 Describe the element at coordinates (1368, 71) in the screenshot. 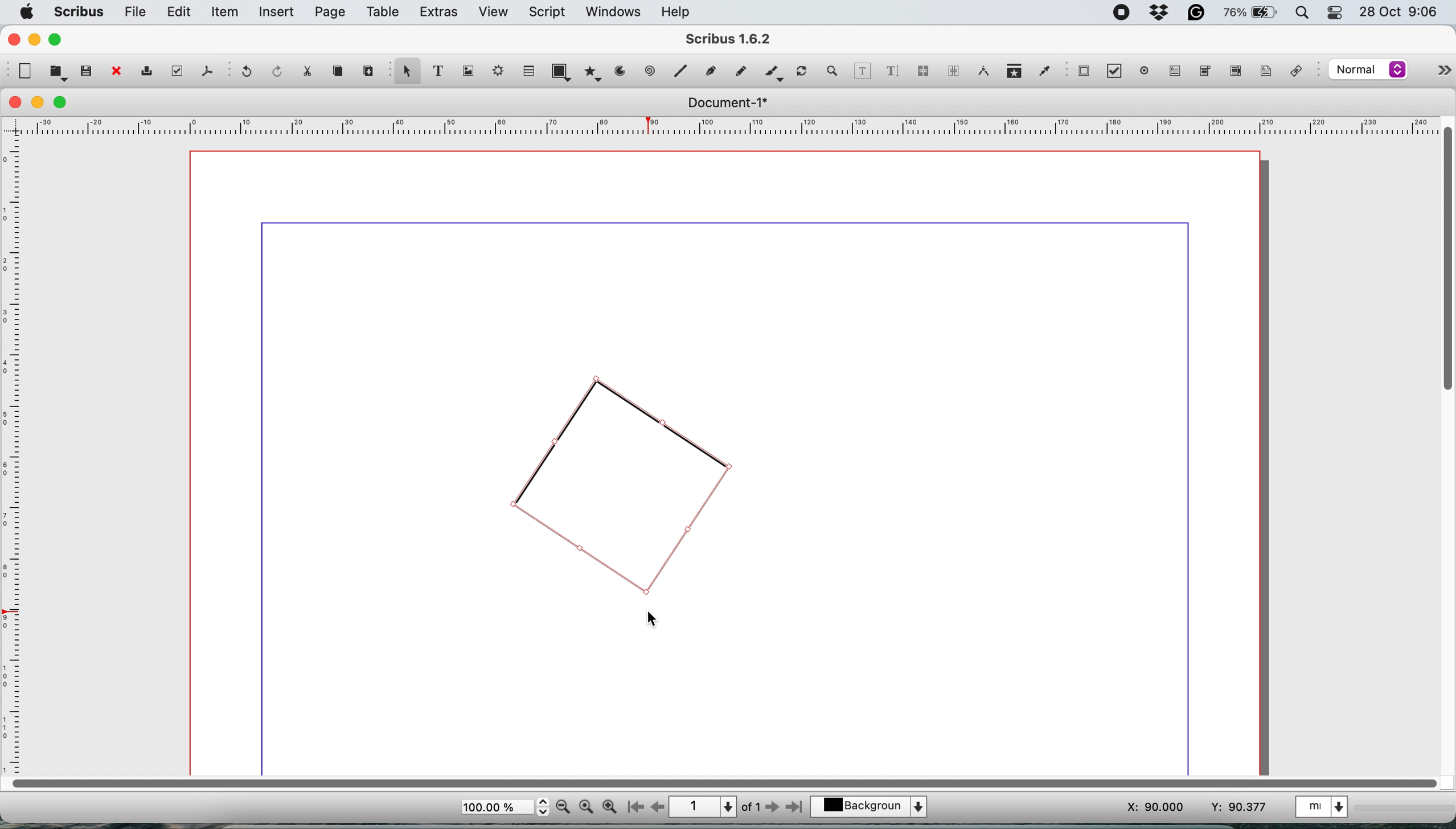

I see `image quality` at that location.